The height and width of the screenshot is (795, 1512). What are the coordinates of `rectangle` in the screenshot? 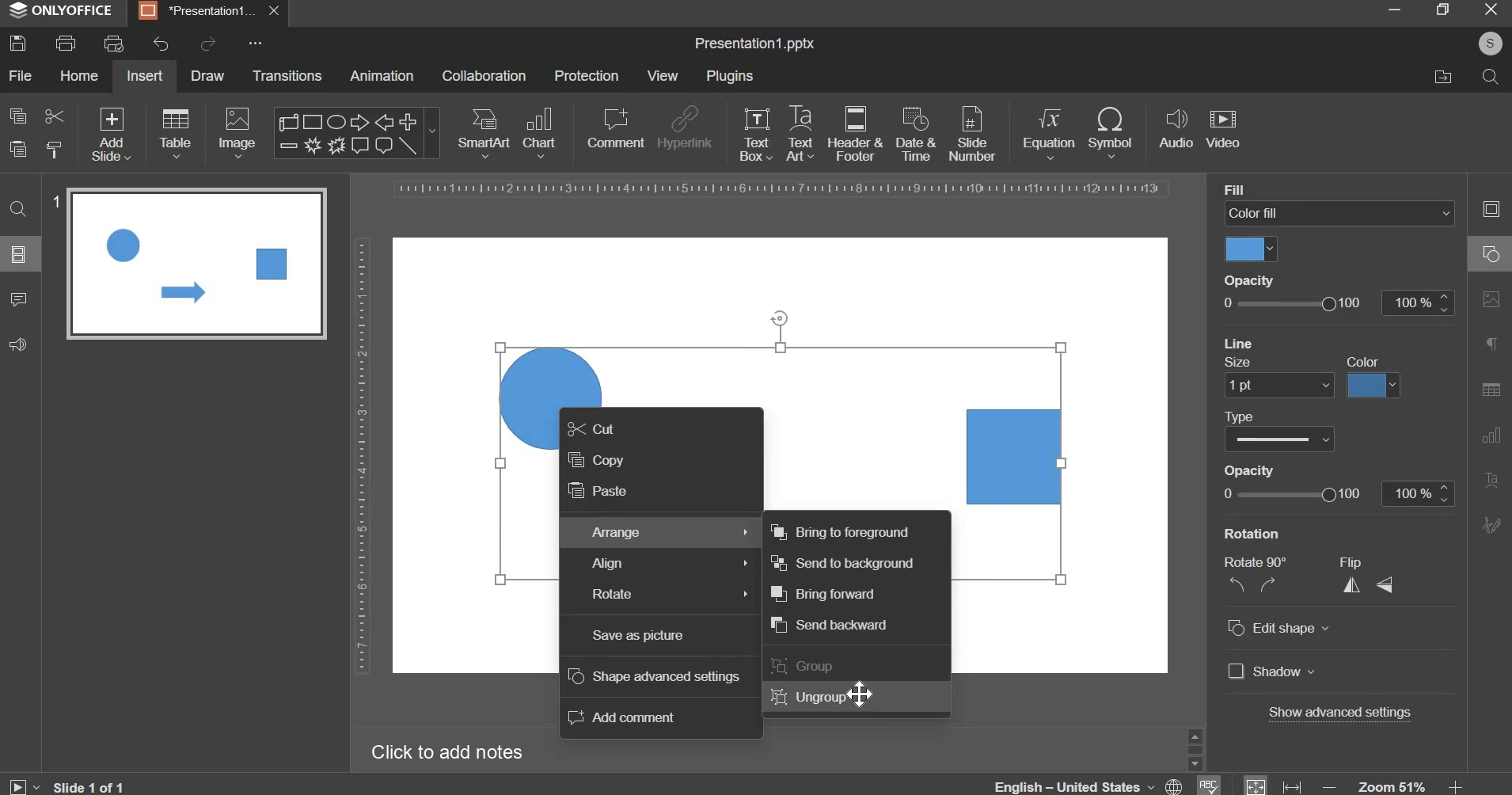 It's located at (1016, 456).